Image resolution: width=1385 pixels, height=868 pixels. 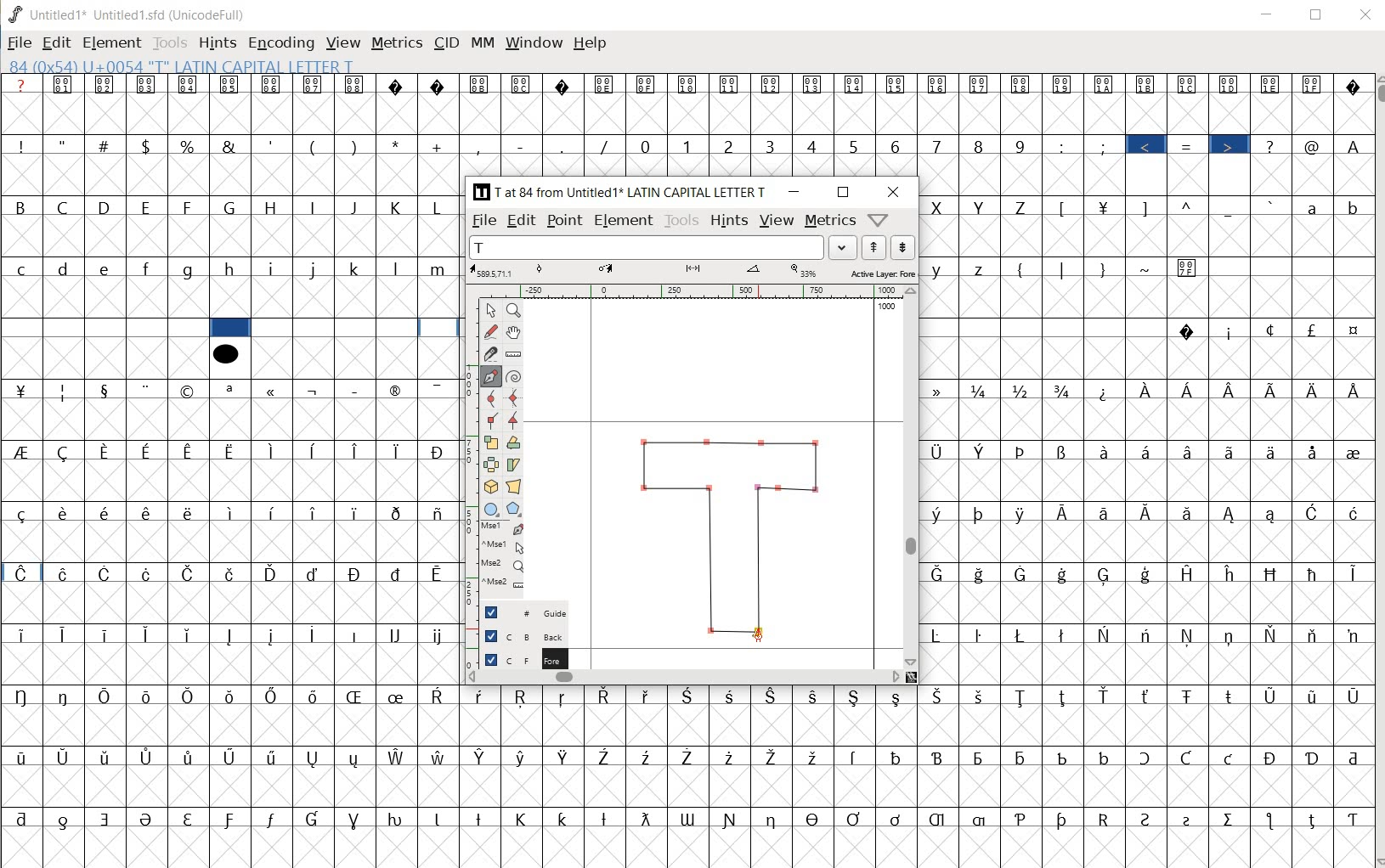 What do you see at coordinates (108, 633) in the screenshot?
I see `Symbol` at bounding box center [108, 633].